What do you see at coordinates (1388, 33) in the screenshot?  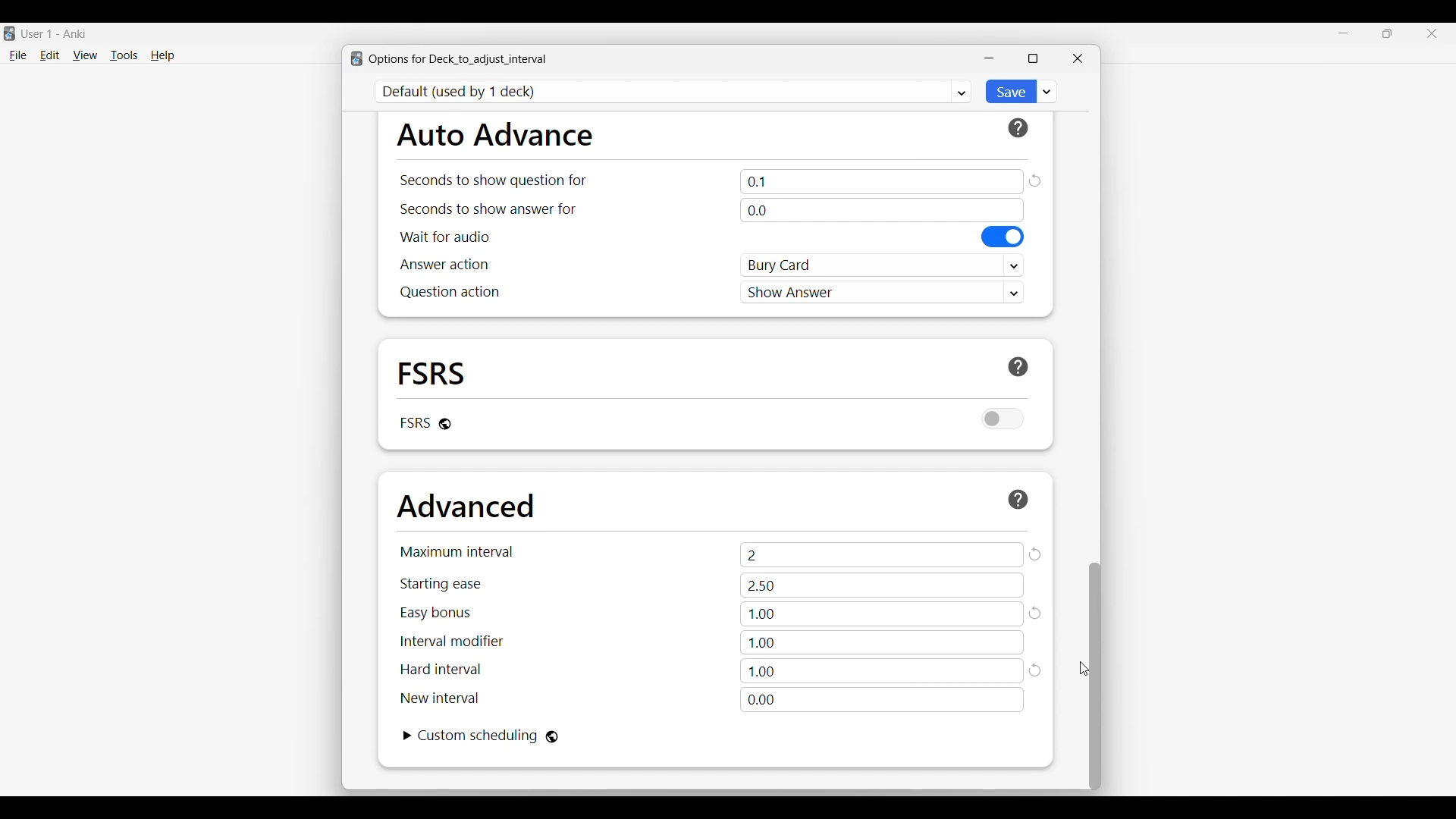 I see `Show interface in smaller tab` at bounding box center [1388, 33].